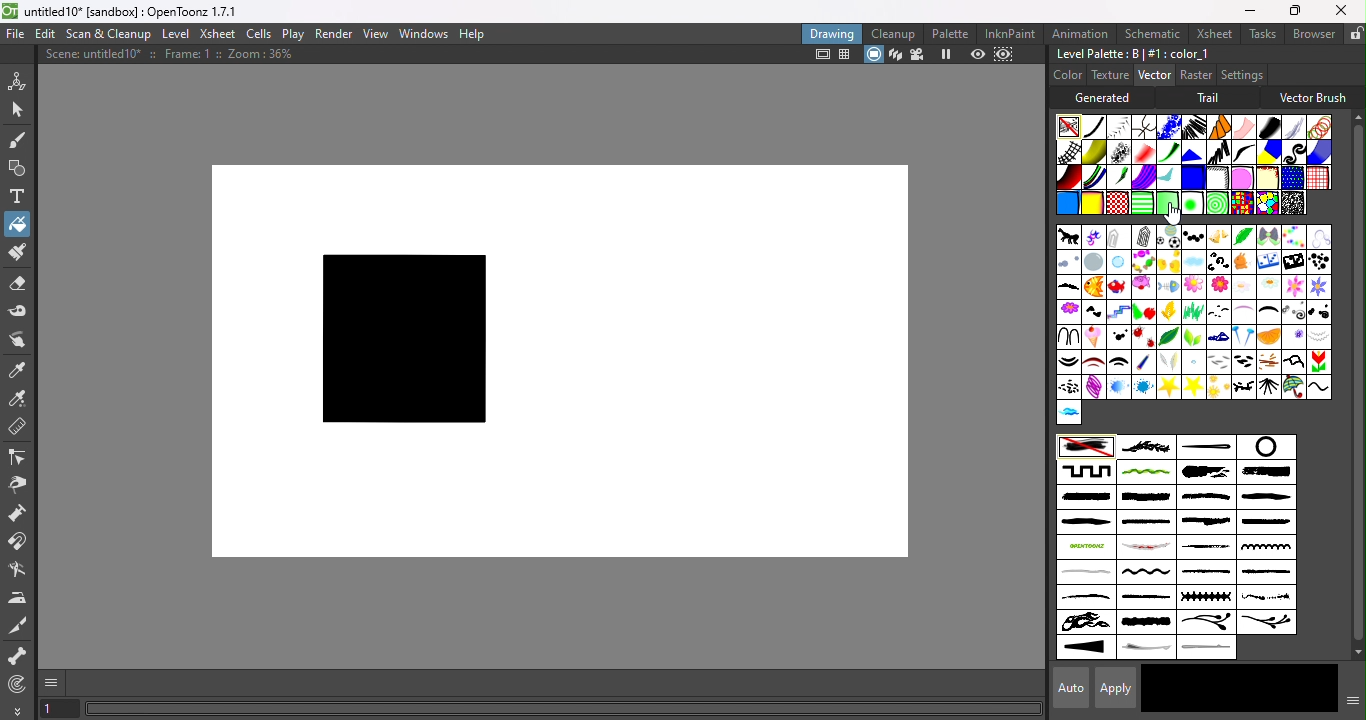 This screenshot has width=1366, height=720. What do you see at coordinates (1094, 263) in the screenshot?
I see `Bubb2` at bounding box center [1094, 263].